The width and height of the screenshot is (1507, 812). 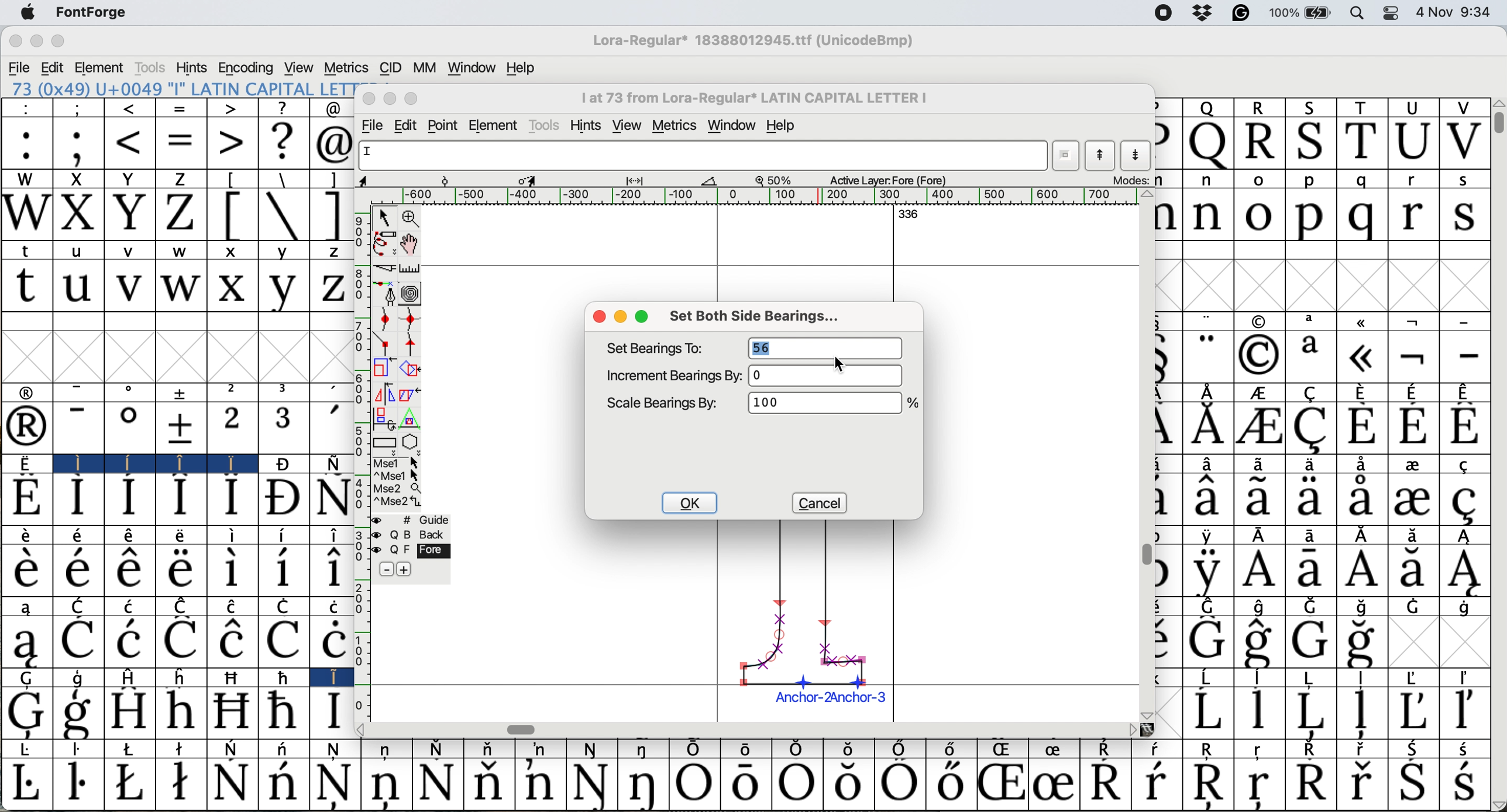 What do you see at coordinates (332, 109) in the screenshot?
I see `@` at bounding box center [332, 109].